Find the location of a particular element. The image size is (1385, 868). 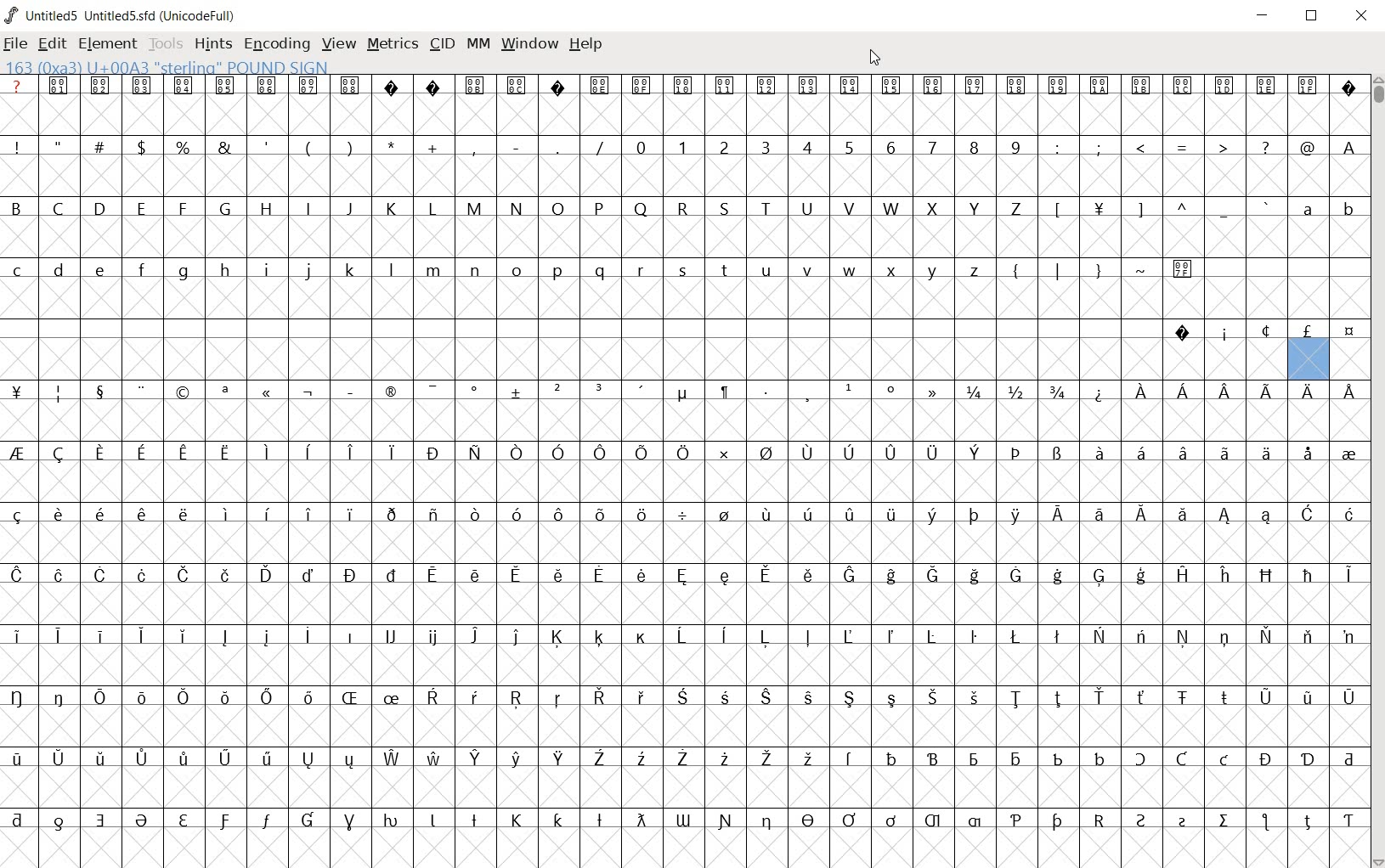

Symbol is located at coordinates (517, 637).